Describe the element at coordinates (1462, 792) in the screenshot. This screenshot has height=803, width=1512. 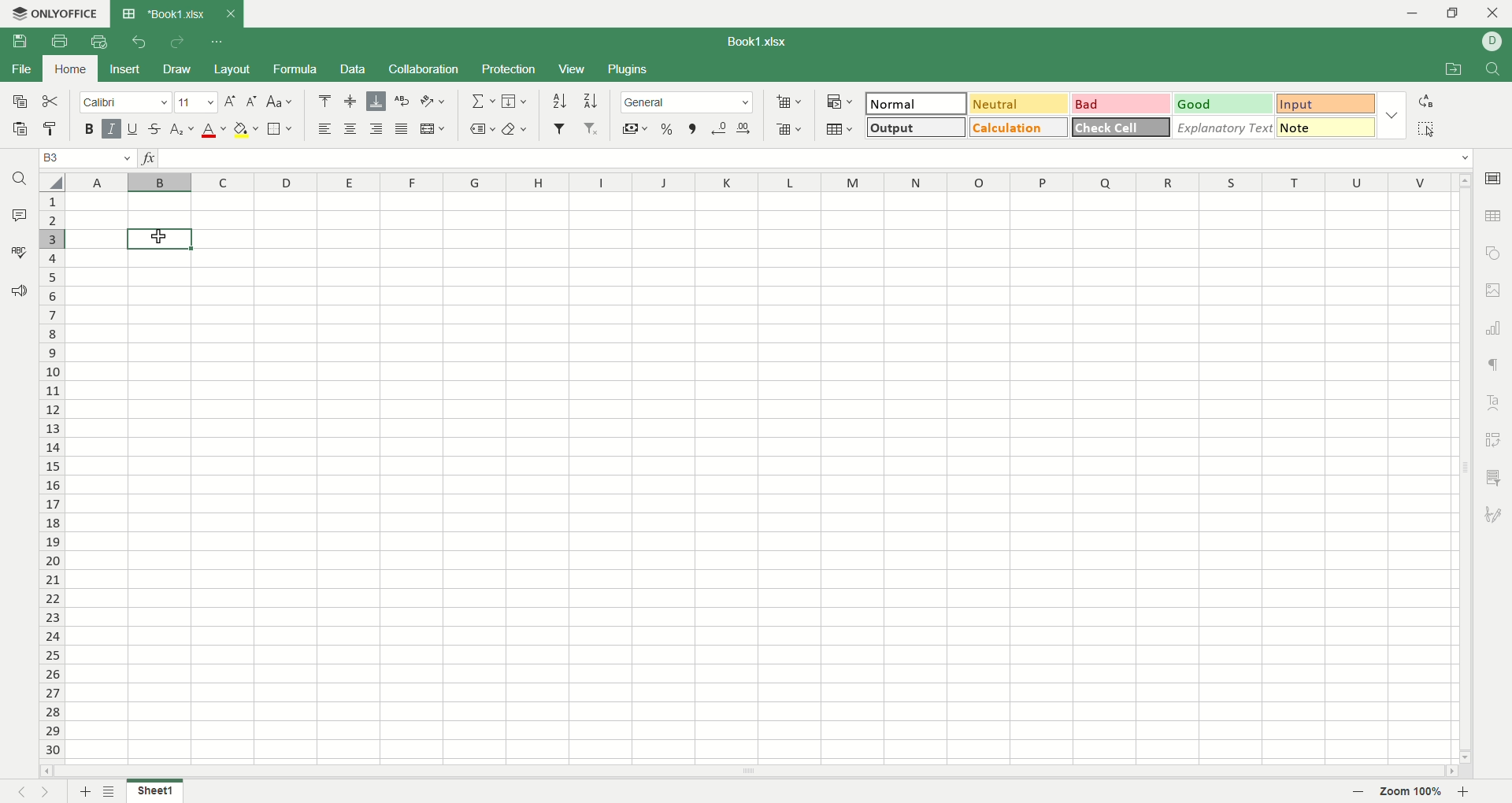
I see `Zoom in` at that location.